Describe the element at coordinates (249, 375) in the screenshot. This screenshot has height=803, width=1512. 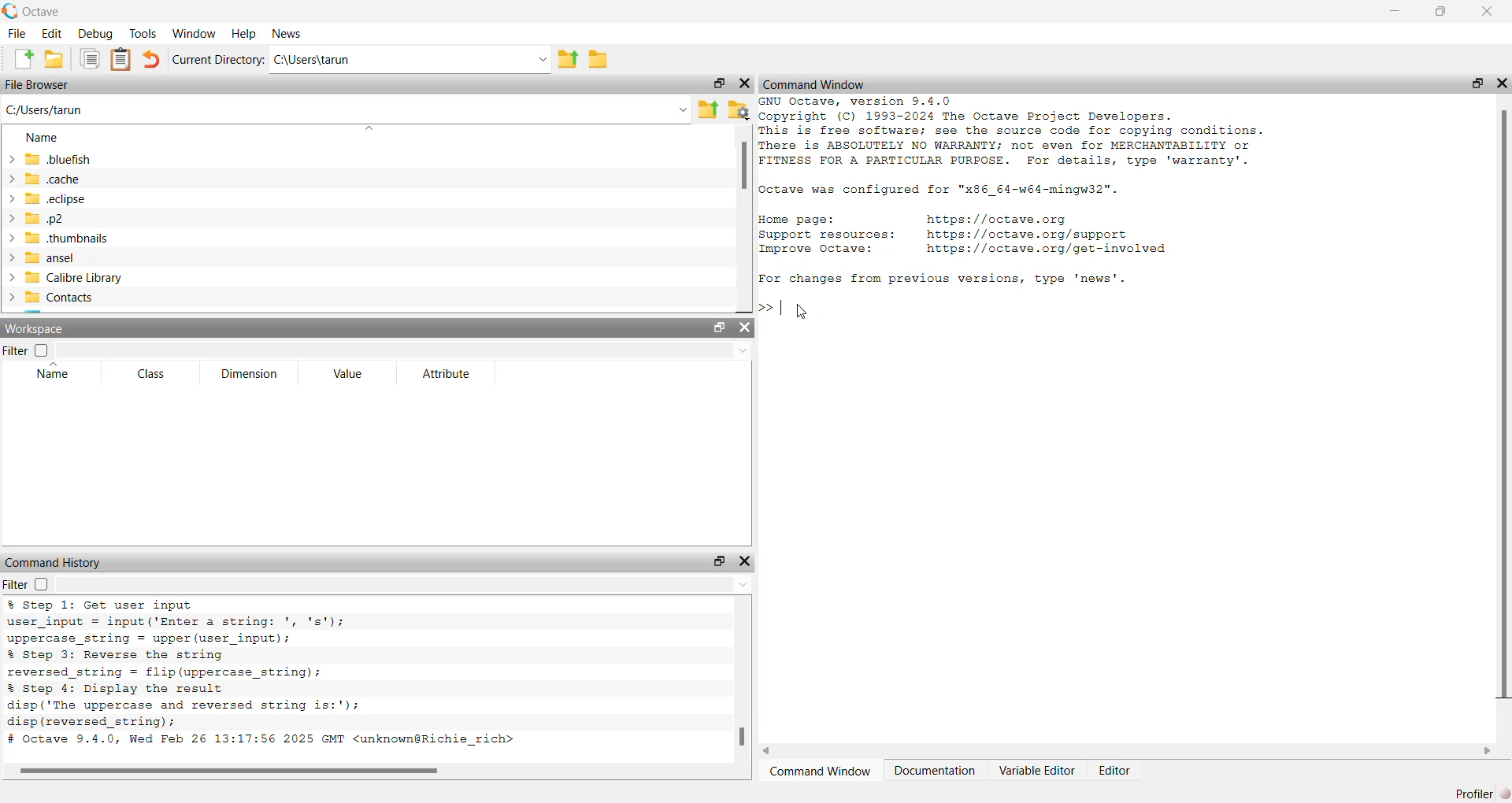
I see `dimension` at that location.